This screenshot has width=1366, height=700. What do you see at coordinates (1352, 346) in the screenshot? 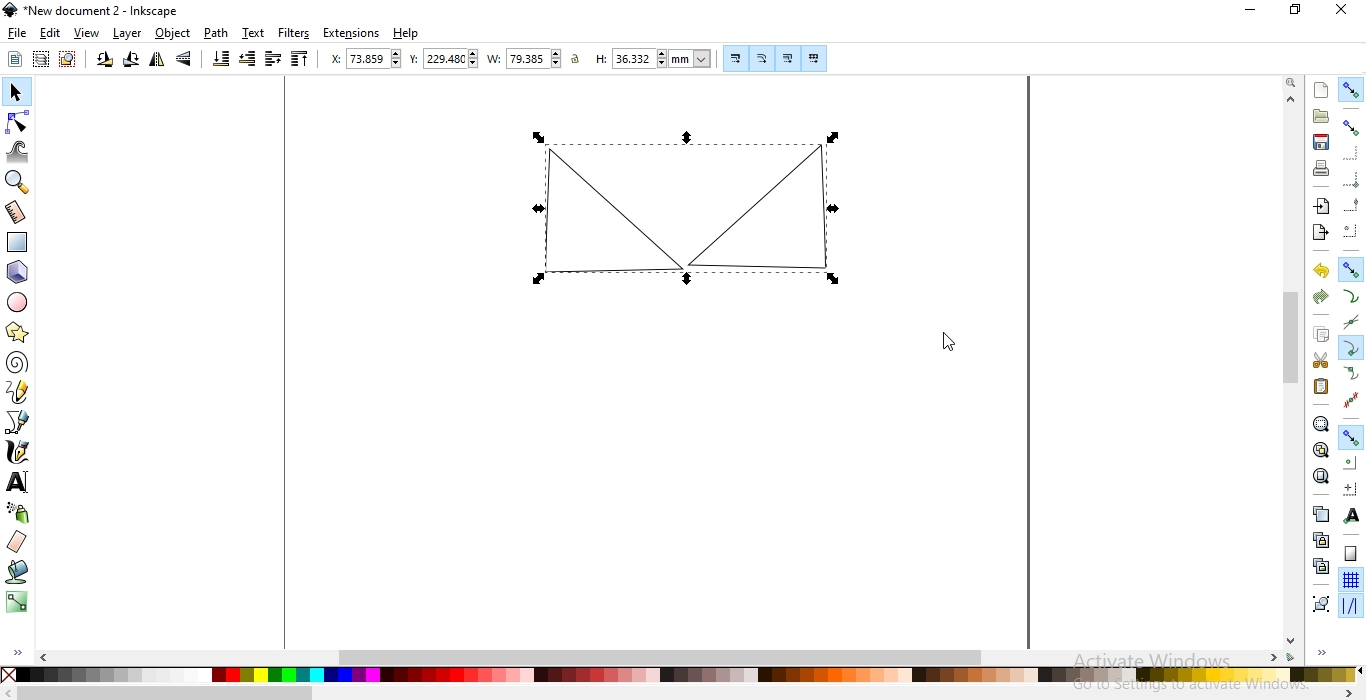
I see `snap cusp nodes incl rectangle corners` at bounding box center [1352, 346].